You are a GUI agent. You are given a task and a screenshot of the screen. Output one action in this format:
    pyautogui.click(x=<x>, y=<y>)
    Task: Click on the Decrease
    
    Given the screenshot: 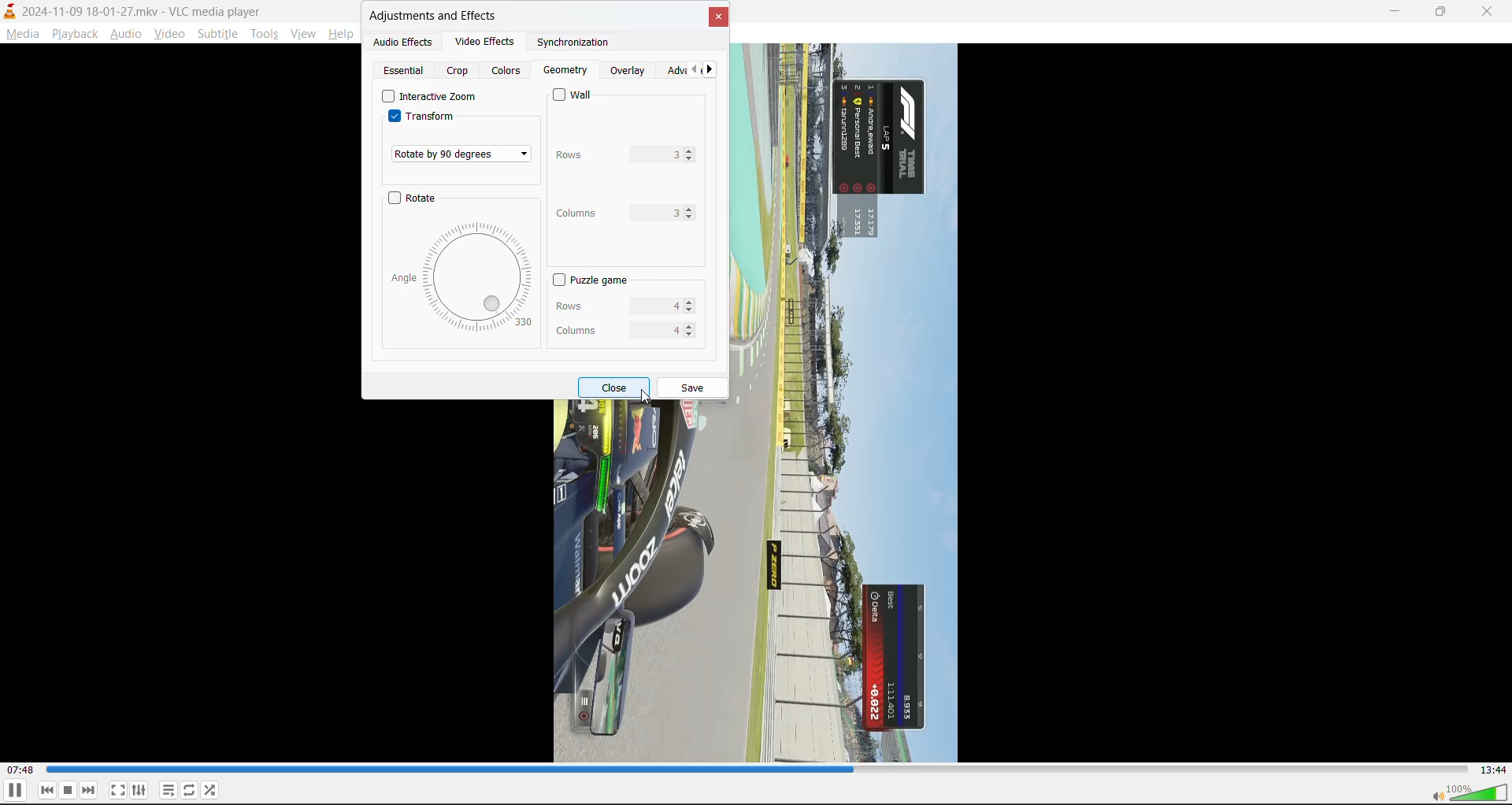 What is the action you would take?
    pyautogui.click(x=693, y=312)
    